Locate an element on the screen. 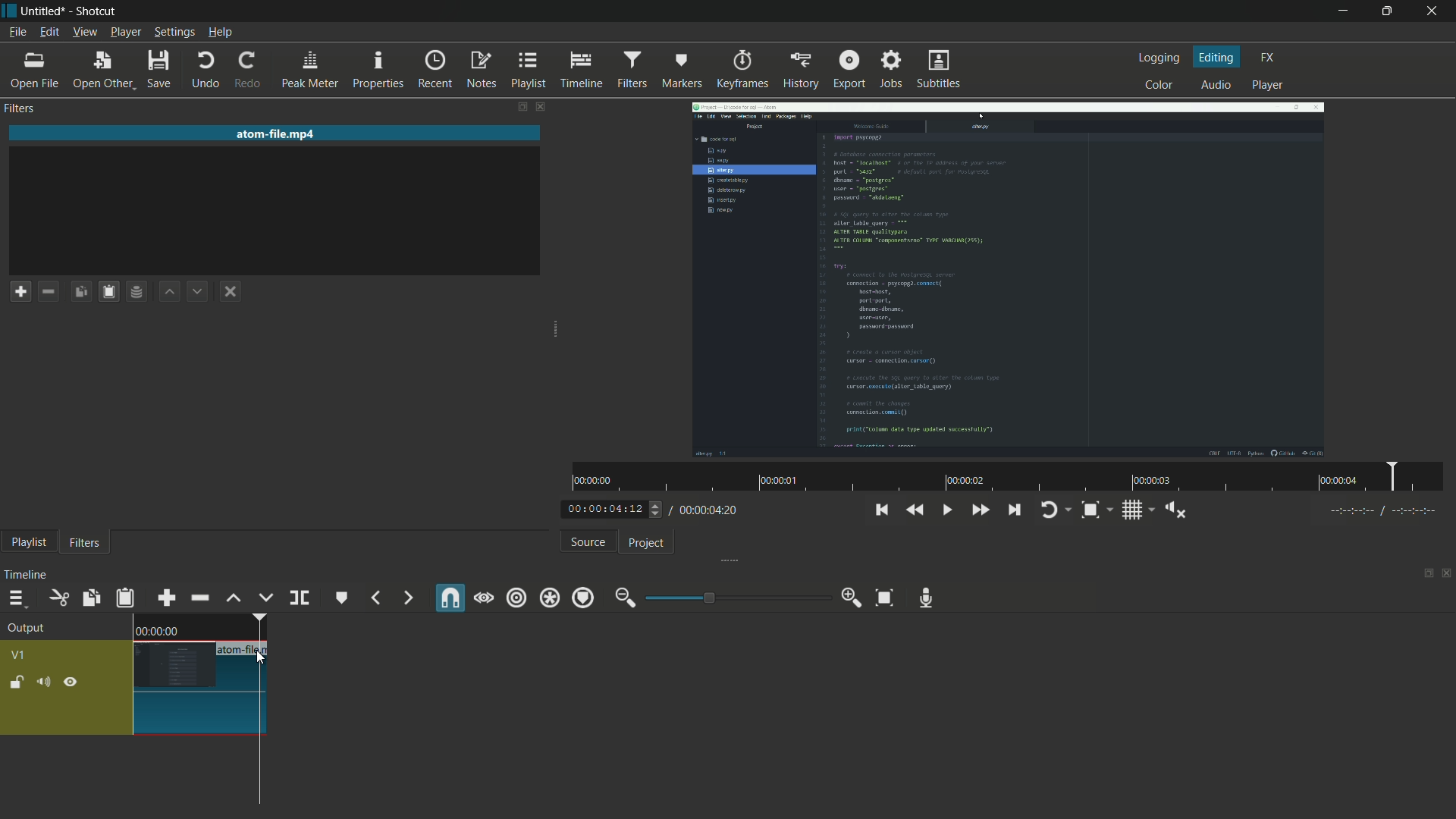 Image resolution: width=1456 pixels, height=819 pixels. overwrite is located at coordinates (266, 597).